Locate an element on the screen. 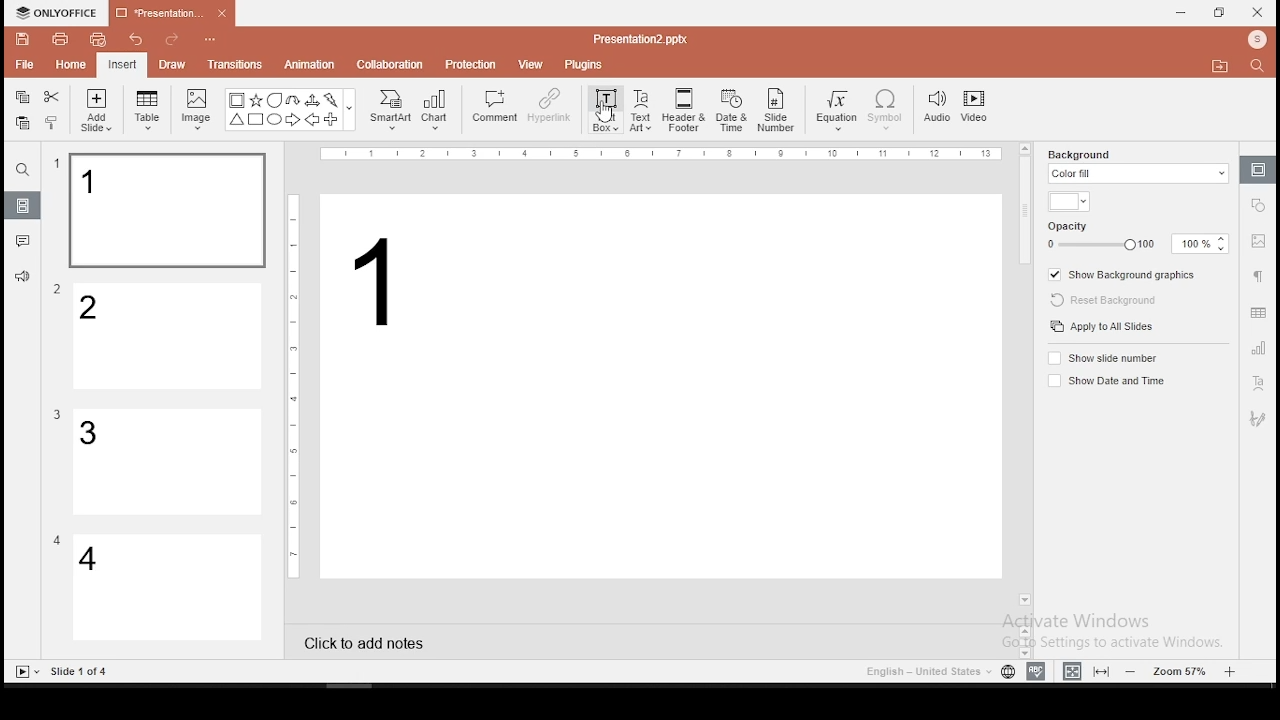 The width and height of the screenshot is (1280, 720). fit to slide is located at coordinates (1104, 670).